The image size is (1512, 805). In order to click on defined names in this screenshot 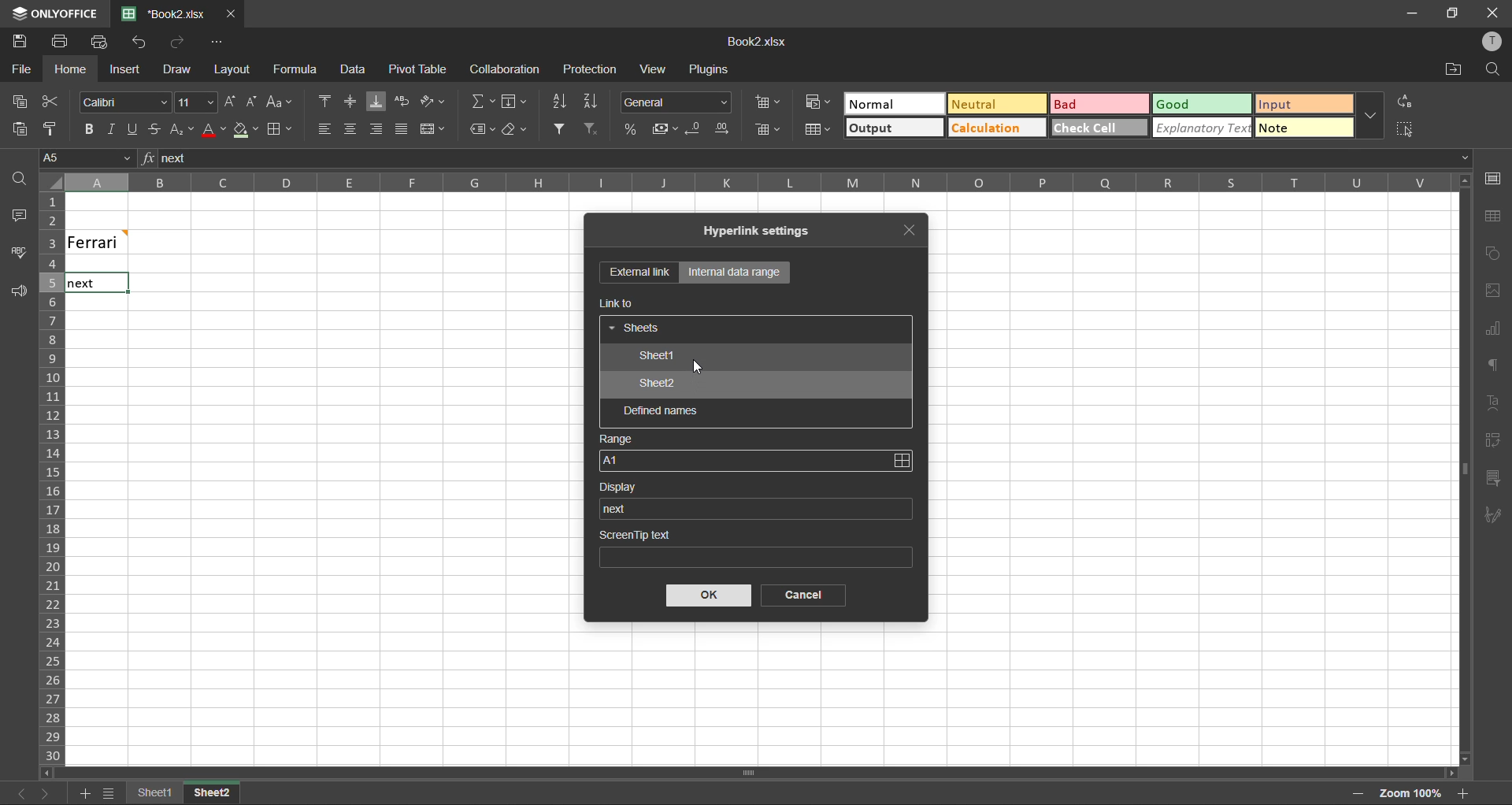, I will do `click(661, 412)`.